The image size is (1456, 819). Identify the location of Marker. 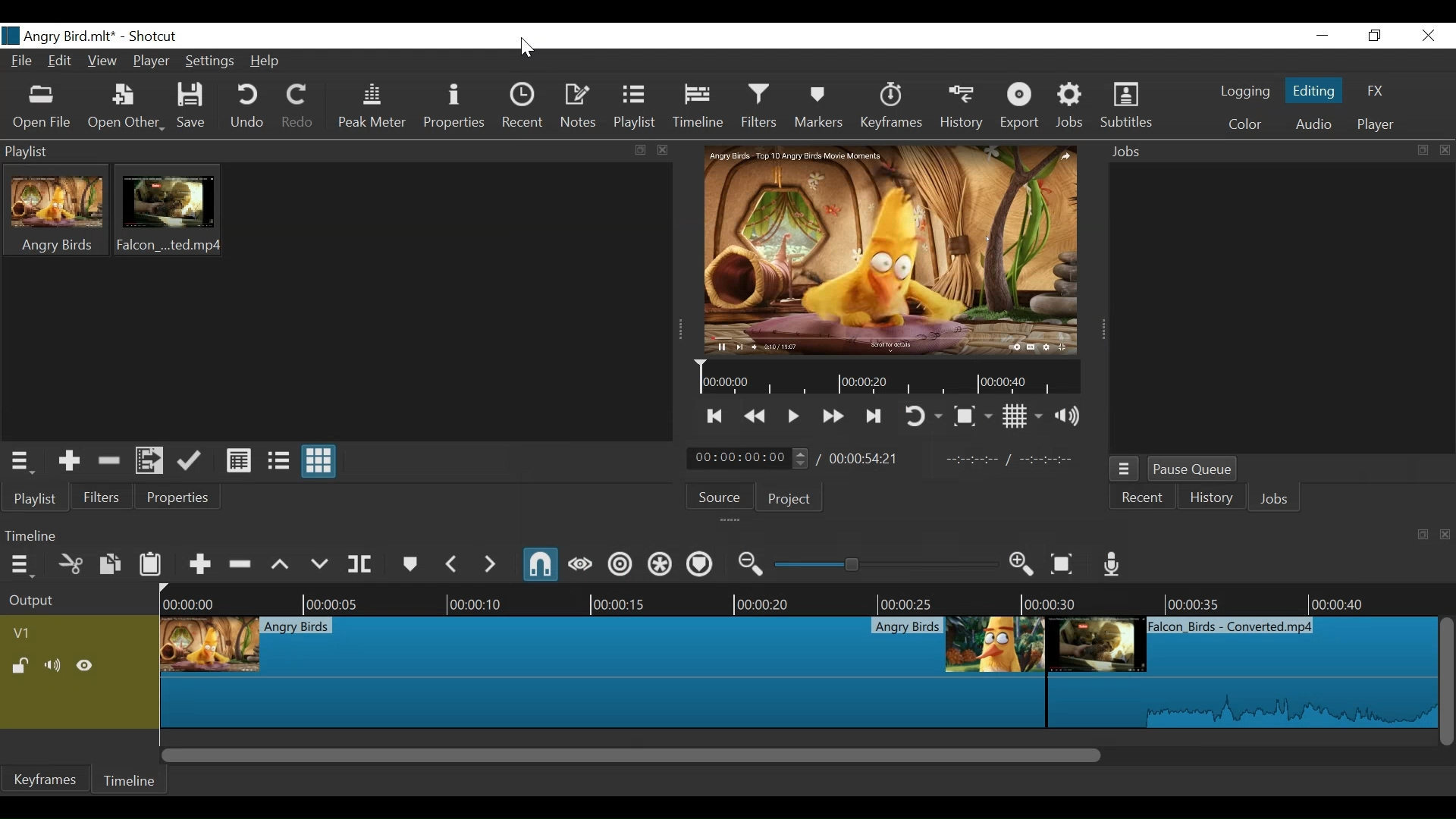
(410, 566).